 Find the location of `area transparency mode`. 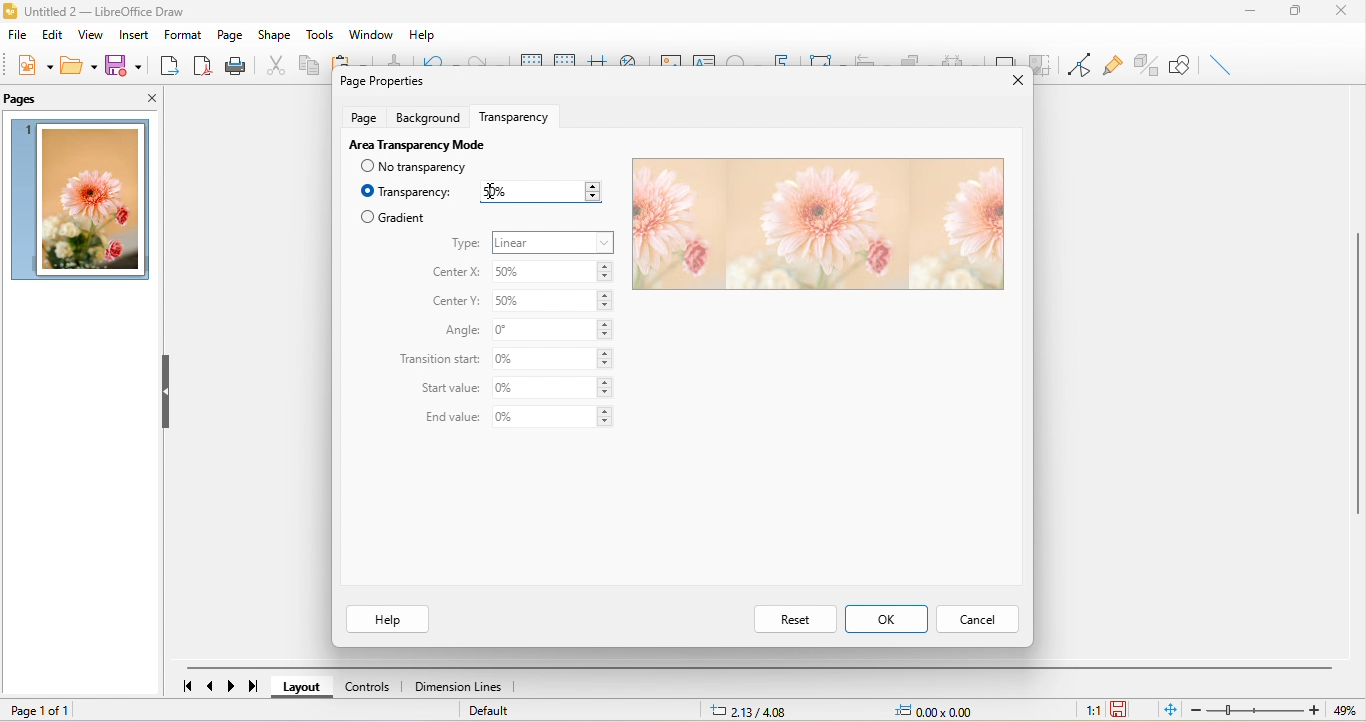

area transparency mode is located at coordinates (415, 143).